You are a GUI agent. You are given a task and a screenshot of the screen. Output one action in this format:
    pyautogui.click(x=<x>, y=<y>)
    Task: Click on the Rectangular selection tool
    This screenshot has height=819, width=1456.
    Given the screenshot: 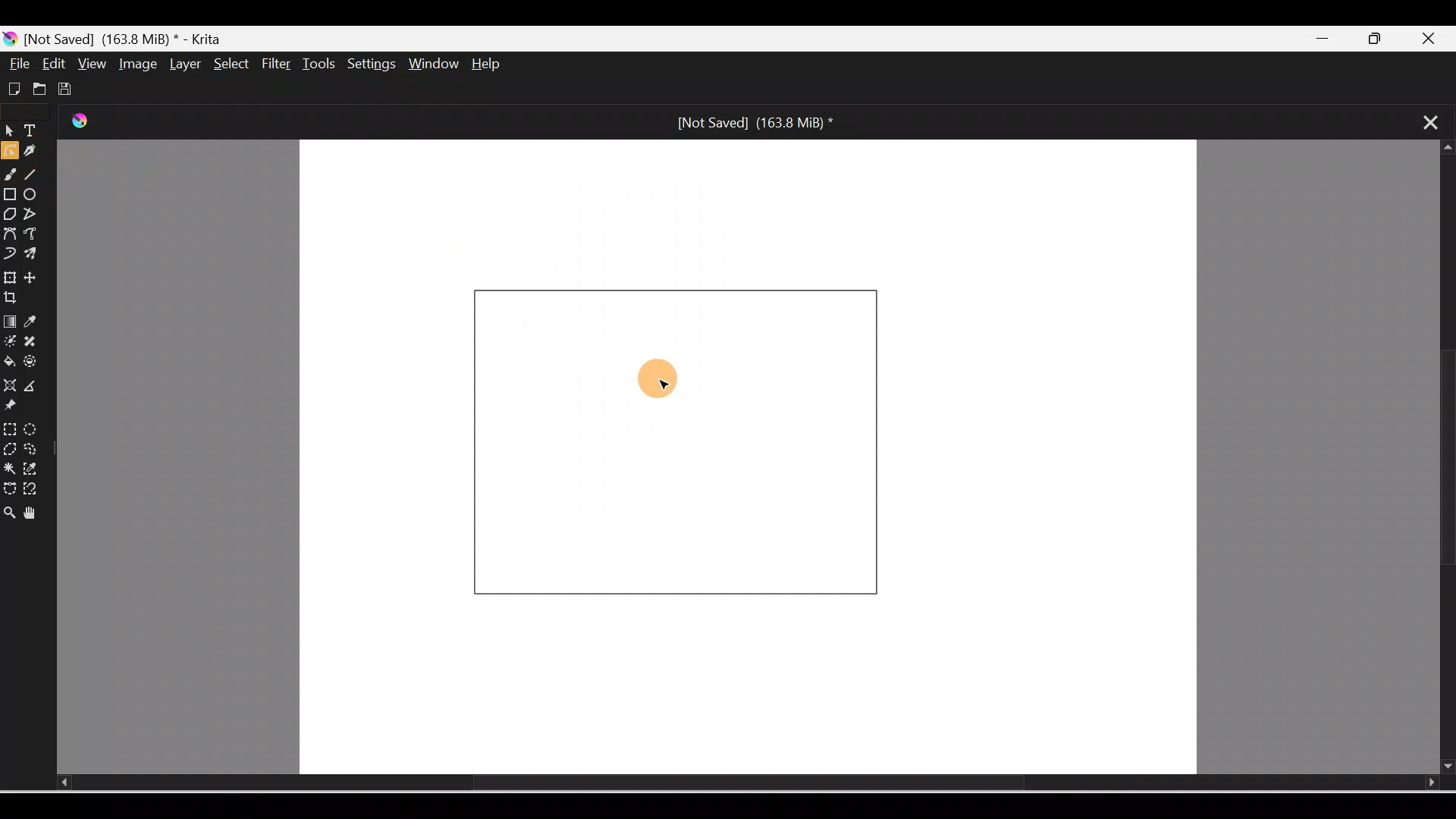 What is the action you would take?
    pyautogui.click(x=9, y=426)
    